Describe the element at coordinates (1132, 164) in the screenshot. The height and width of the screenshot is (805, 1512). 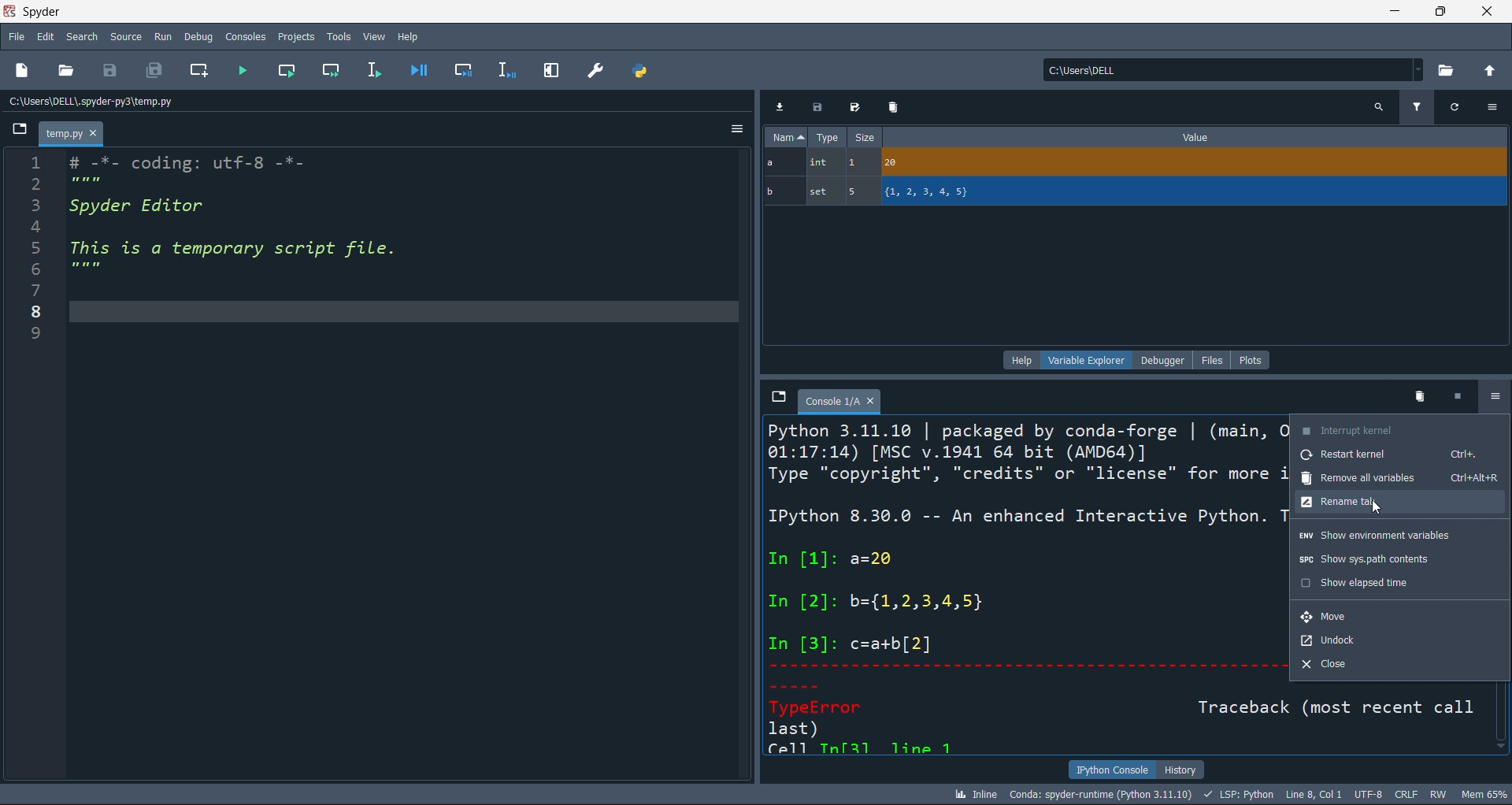
I see `a, int, 1, 20` at that location.